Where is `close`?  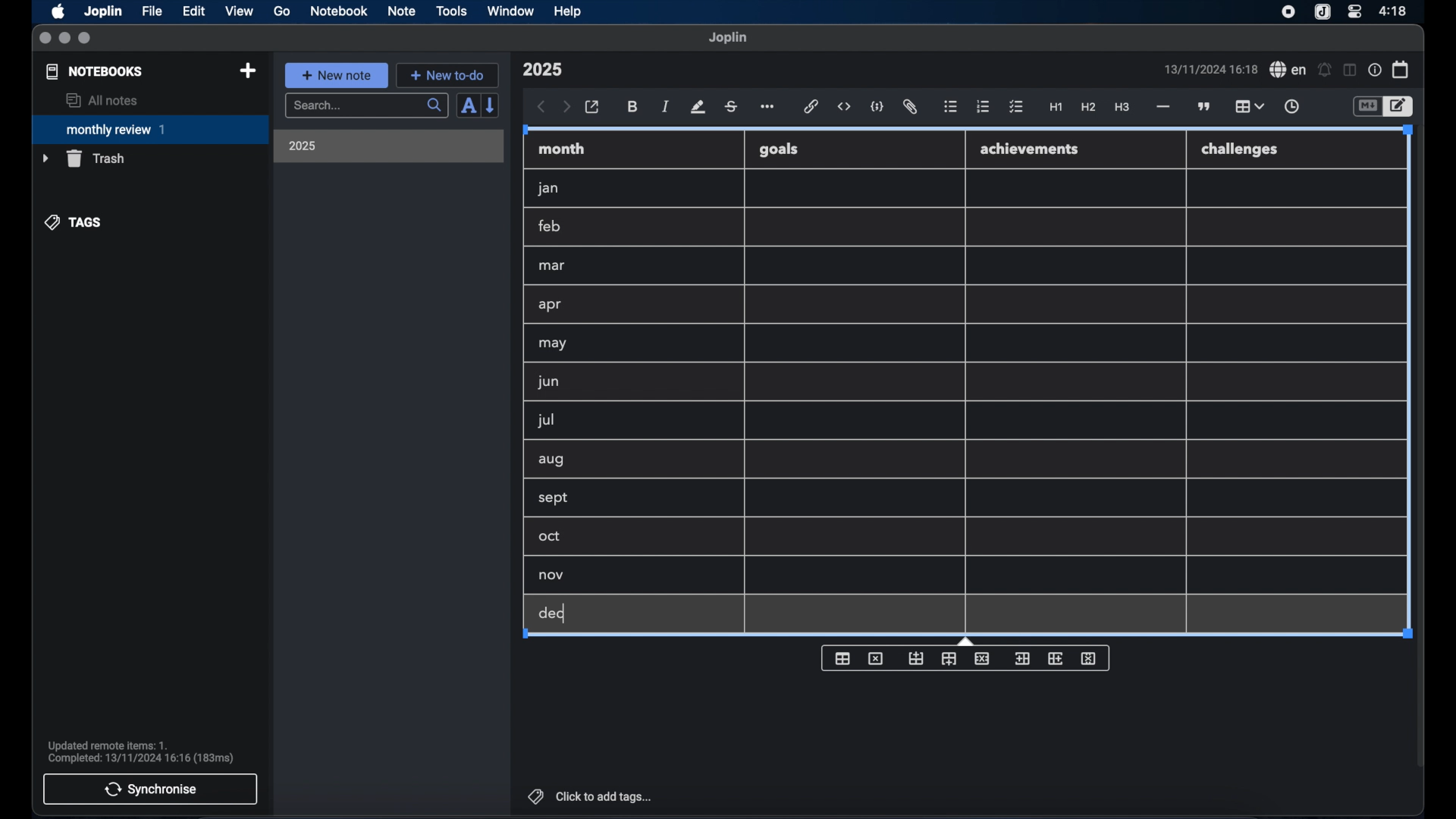
close is located at coordinates (45, 39).